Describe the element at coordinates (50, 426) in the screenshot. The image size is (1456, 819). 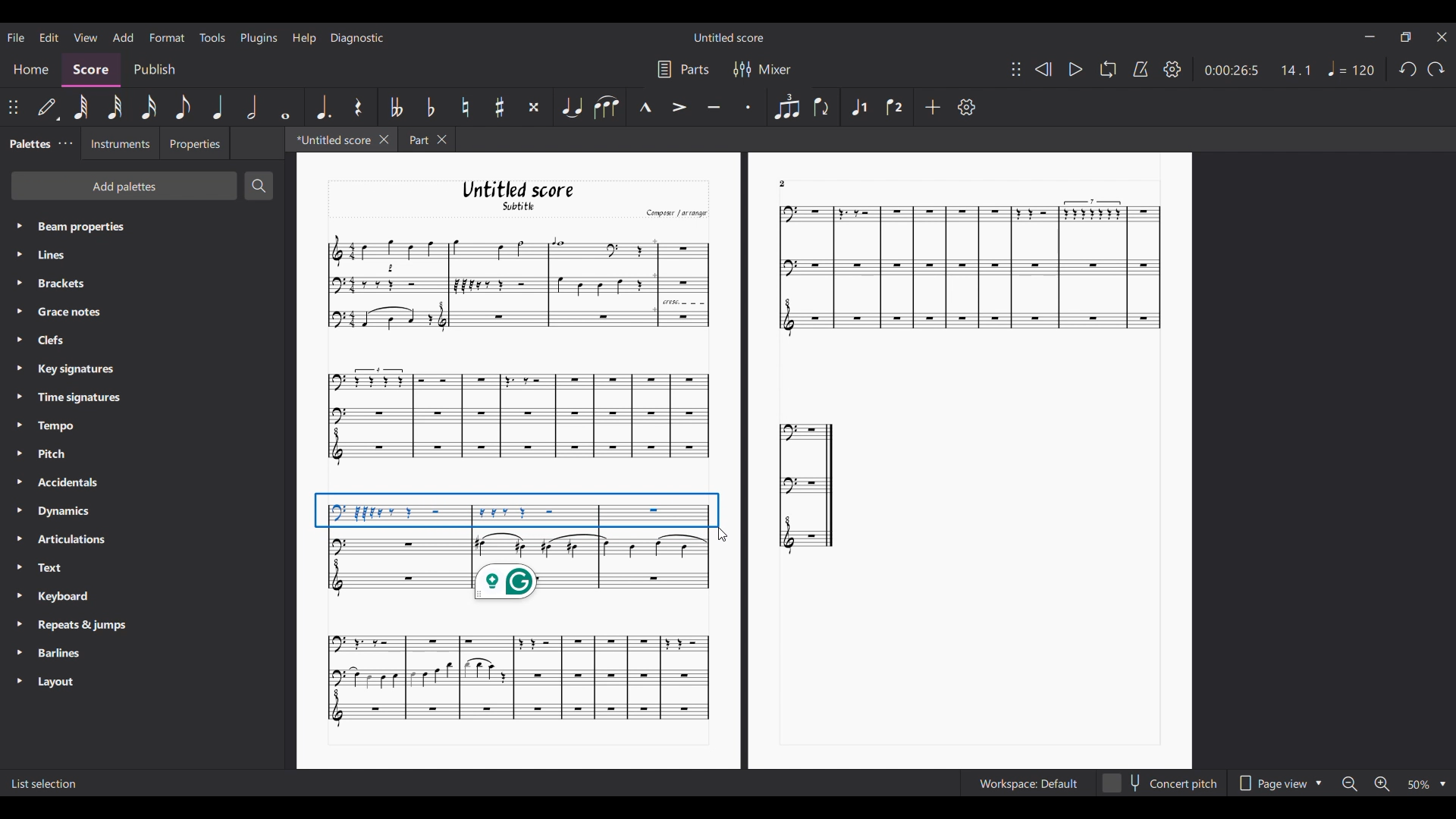
I see `> Tempo` at that location.